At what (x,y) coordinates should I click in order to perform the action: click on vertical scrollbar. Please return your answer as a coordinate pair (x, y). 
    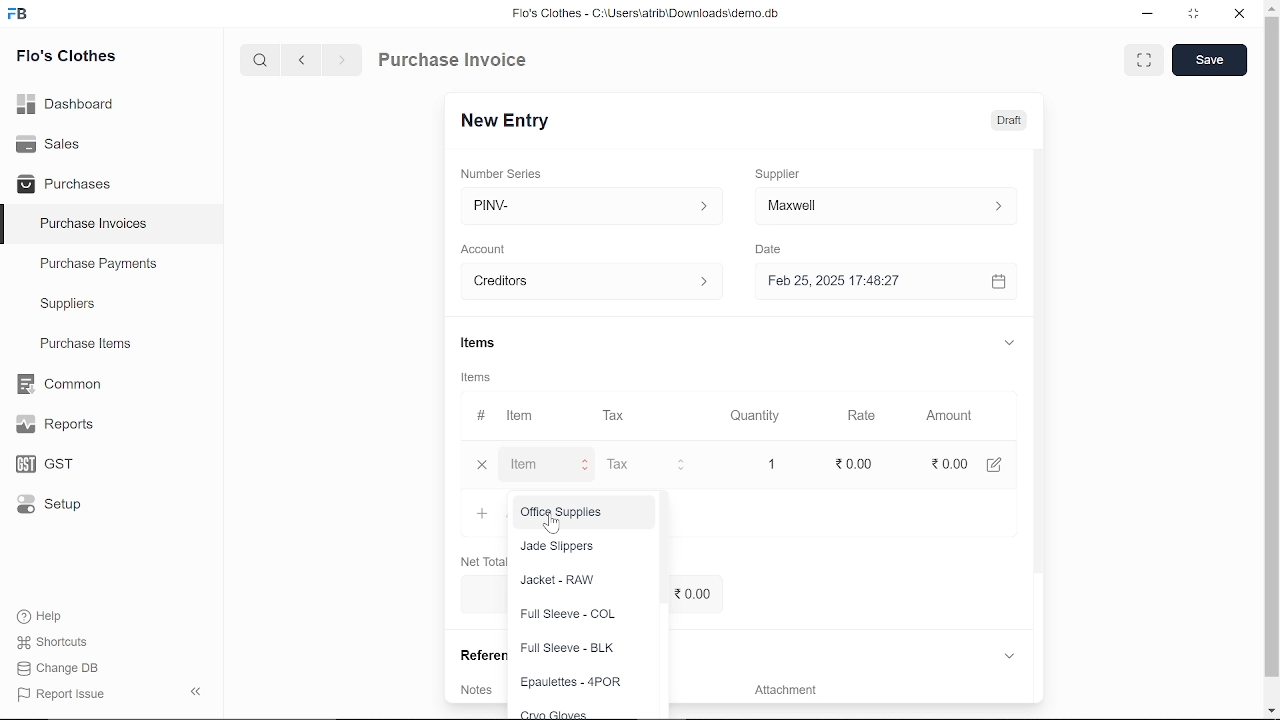
    Looking at the image, I should click on (1272, 348).